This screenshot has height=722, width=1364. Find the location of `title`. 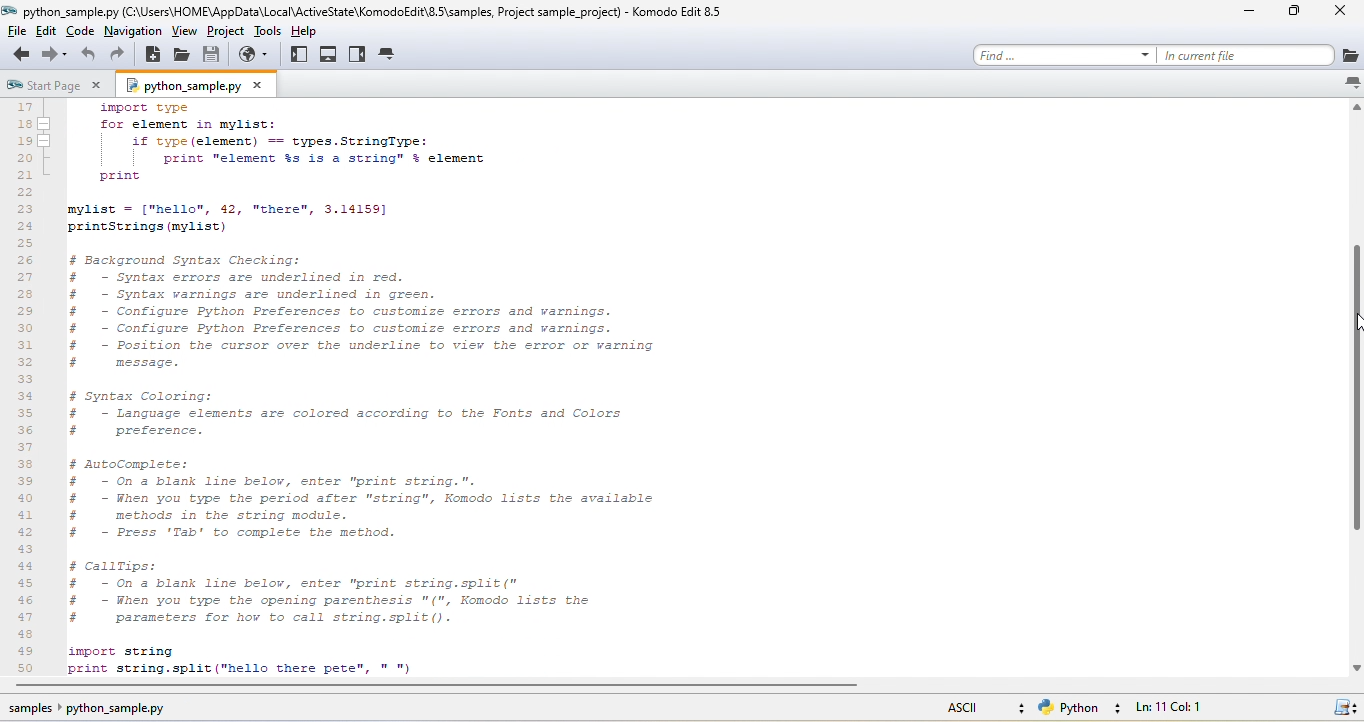

title is located at coordinates (679, 11).